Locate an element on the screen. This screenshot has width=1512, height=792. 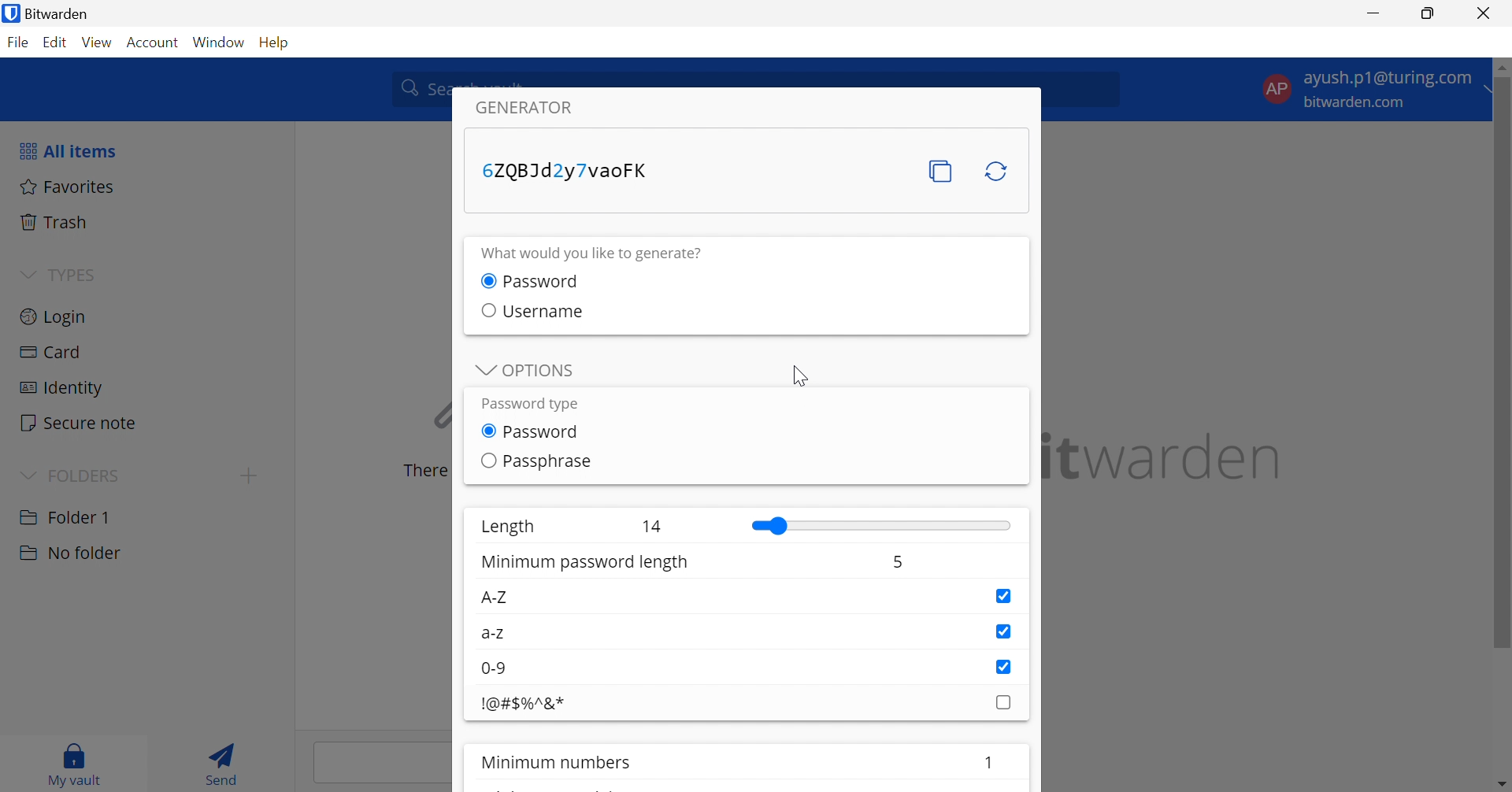
Checkbox is located at coordinates (1003, 631).